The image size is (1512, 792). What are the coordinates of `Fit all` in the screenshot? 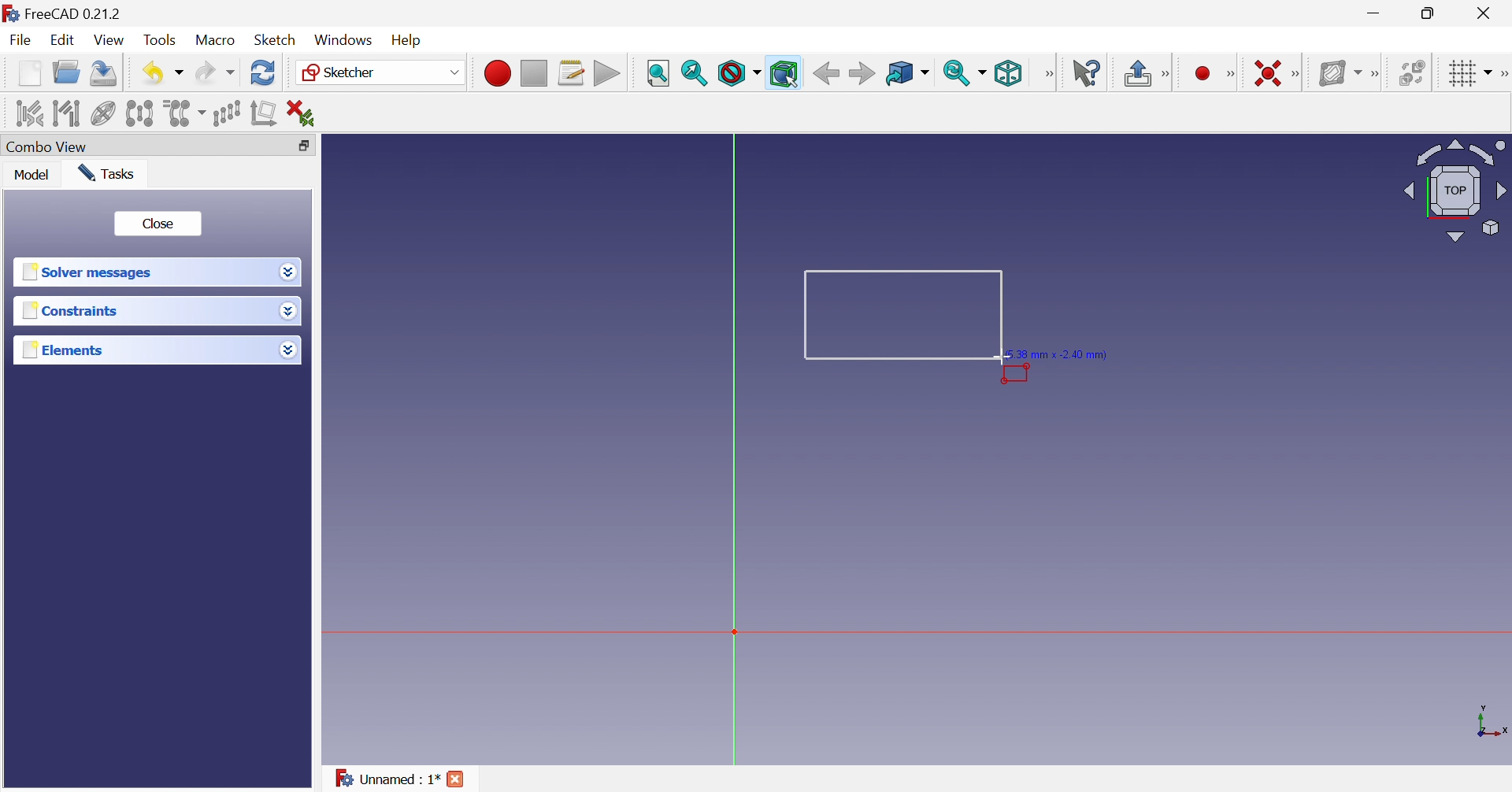 It's located at (658, 73).